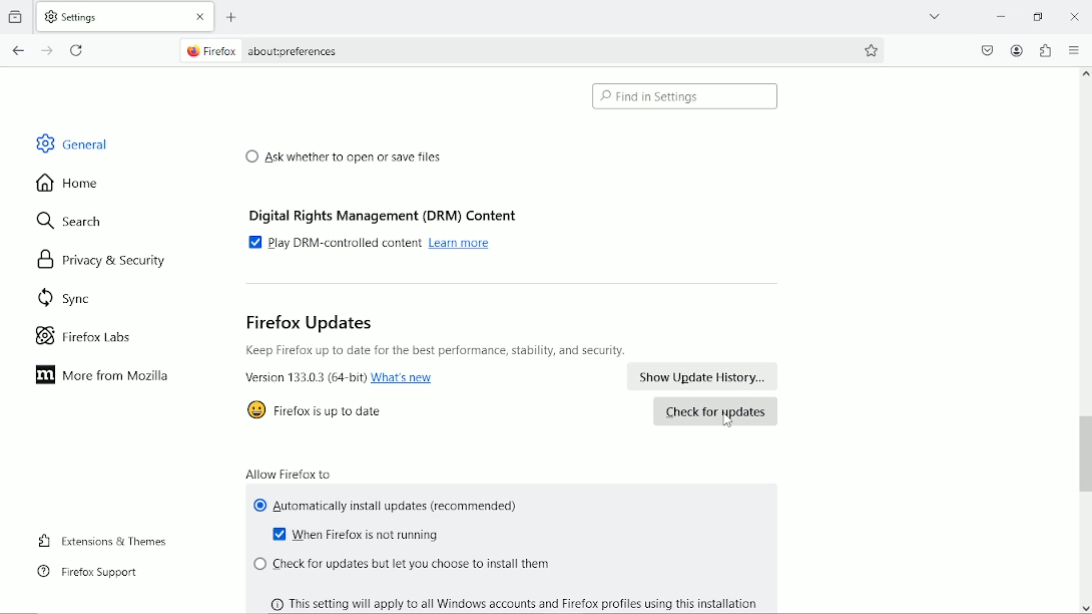 The height and width of the screenshot is (614, 1092). I want to click on Close, so click(201, 16).